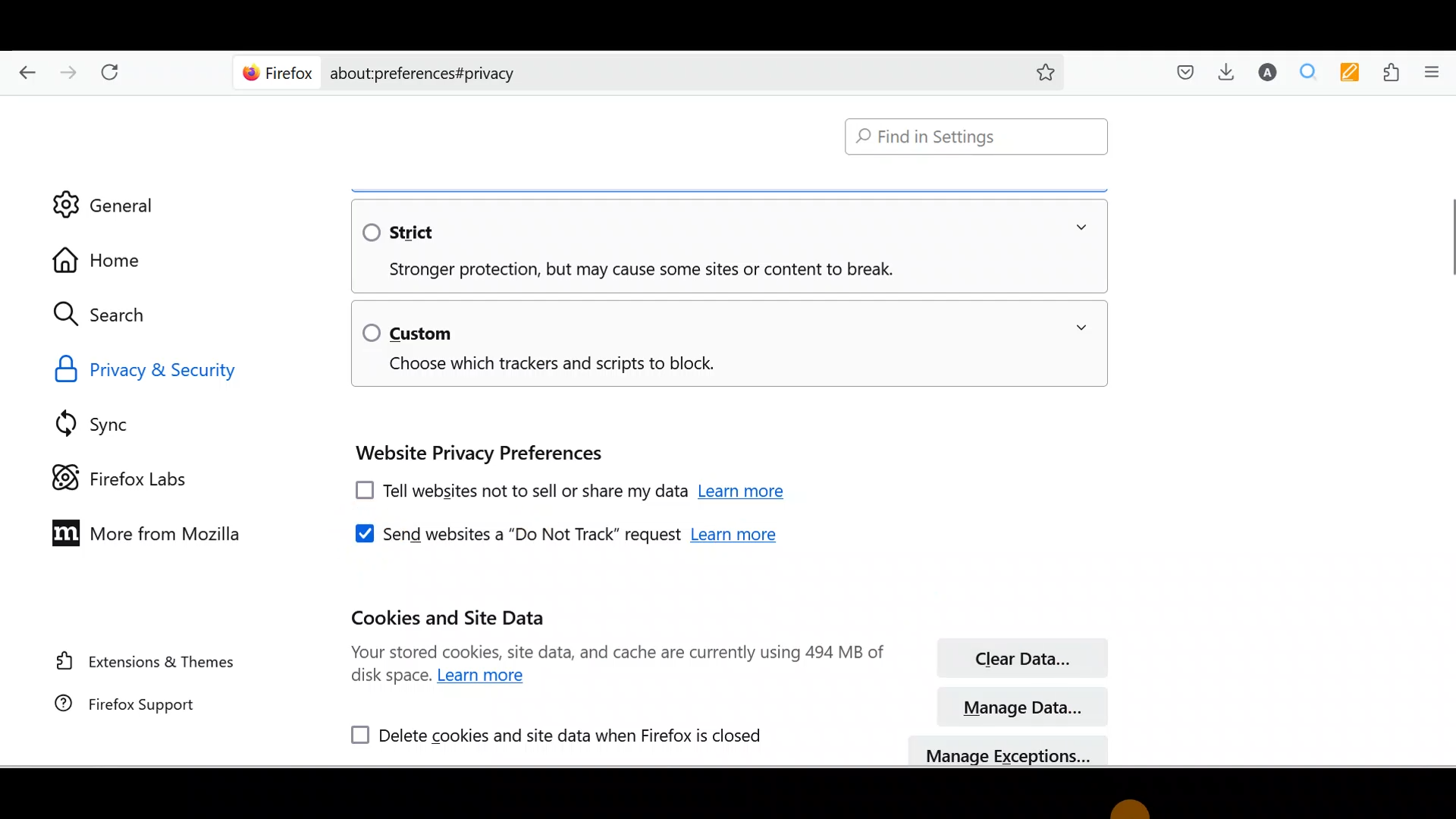  I want to click on Learn more, so click(734, 537).